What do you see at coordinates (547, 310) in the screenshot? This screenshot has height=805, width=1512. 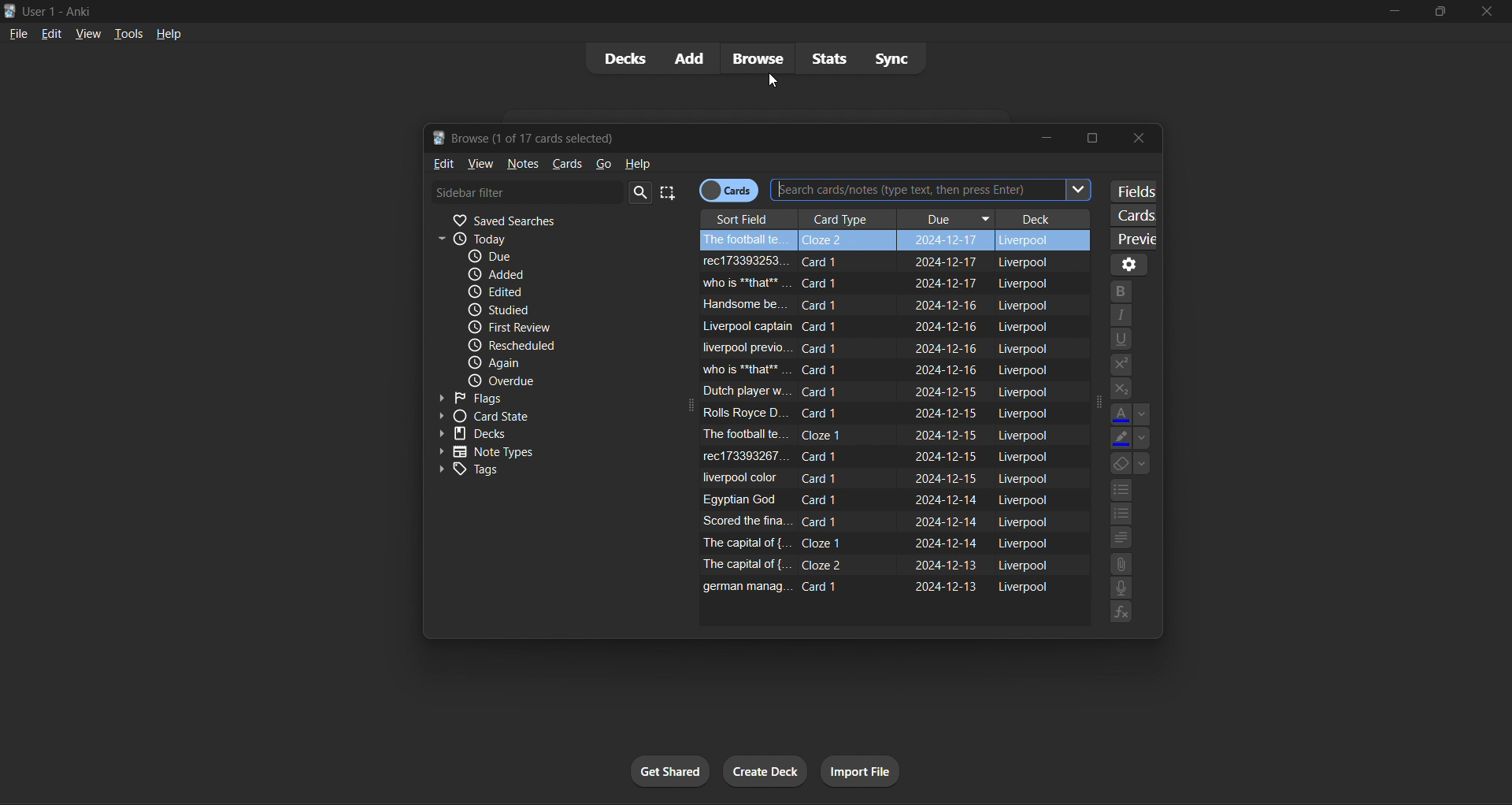 I see `studied` at bounding box center [547, 310].